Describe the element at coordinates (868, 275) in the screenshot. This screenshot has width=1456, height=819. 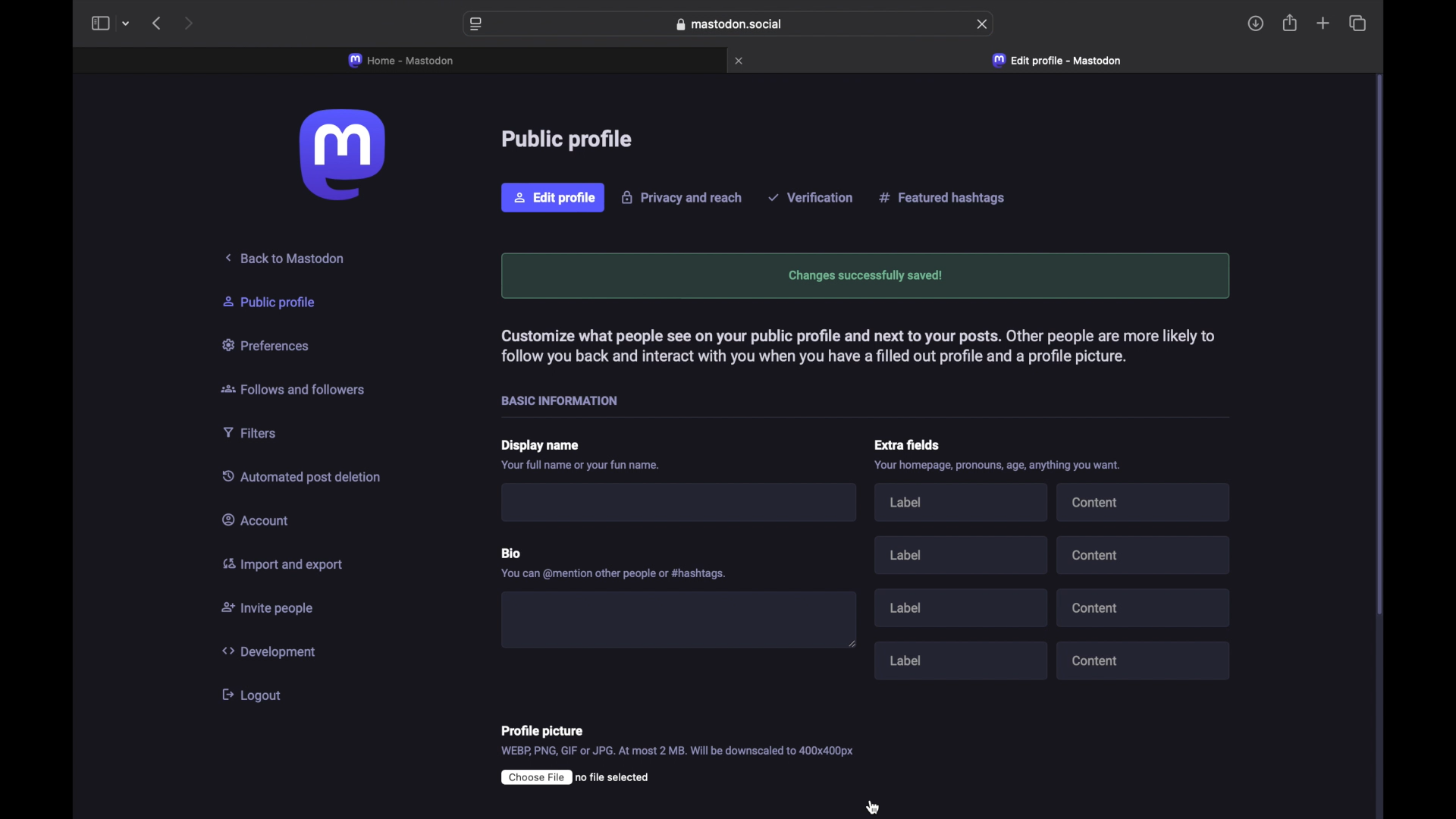
I see `changes successfully saved` at that location.